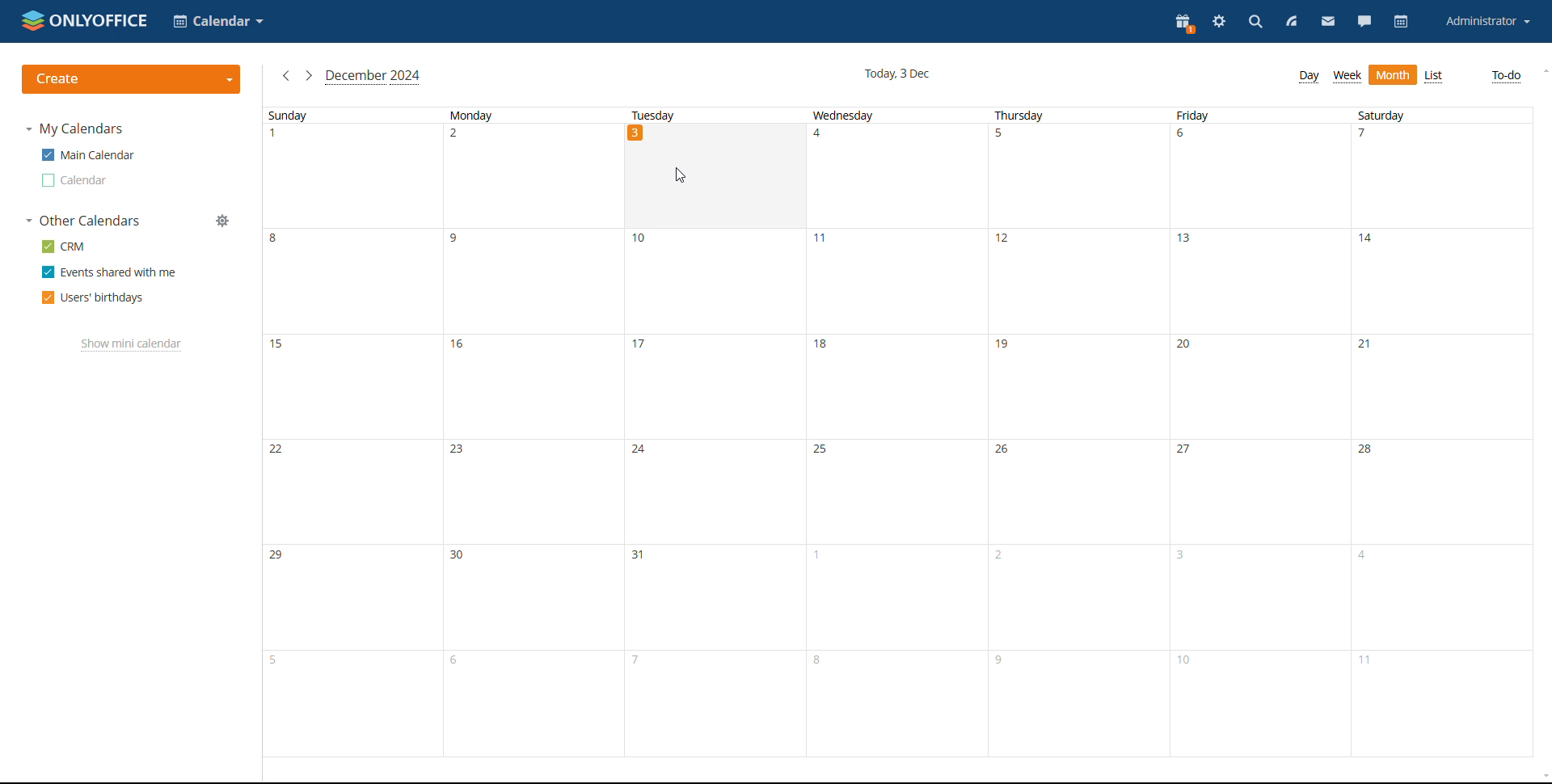  What do you see at coordinates (1293, 23) in the screenshot?
I see `feed` at bounding box center [1293, 23].